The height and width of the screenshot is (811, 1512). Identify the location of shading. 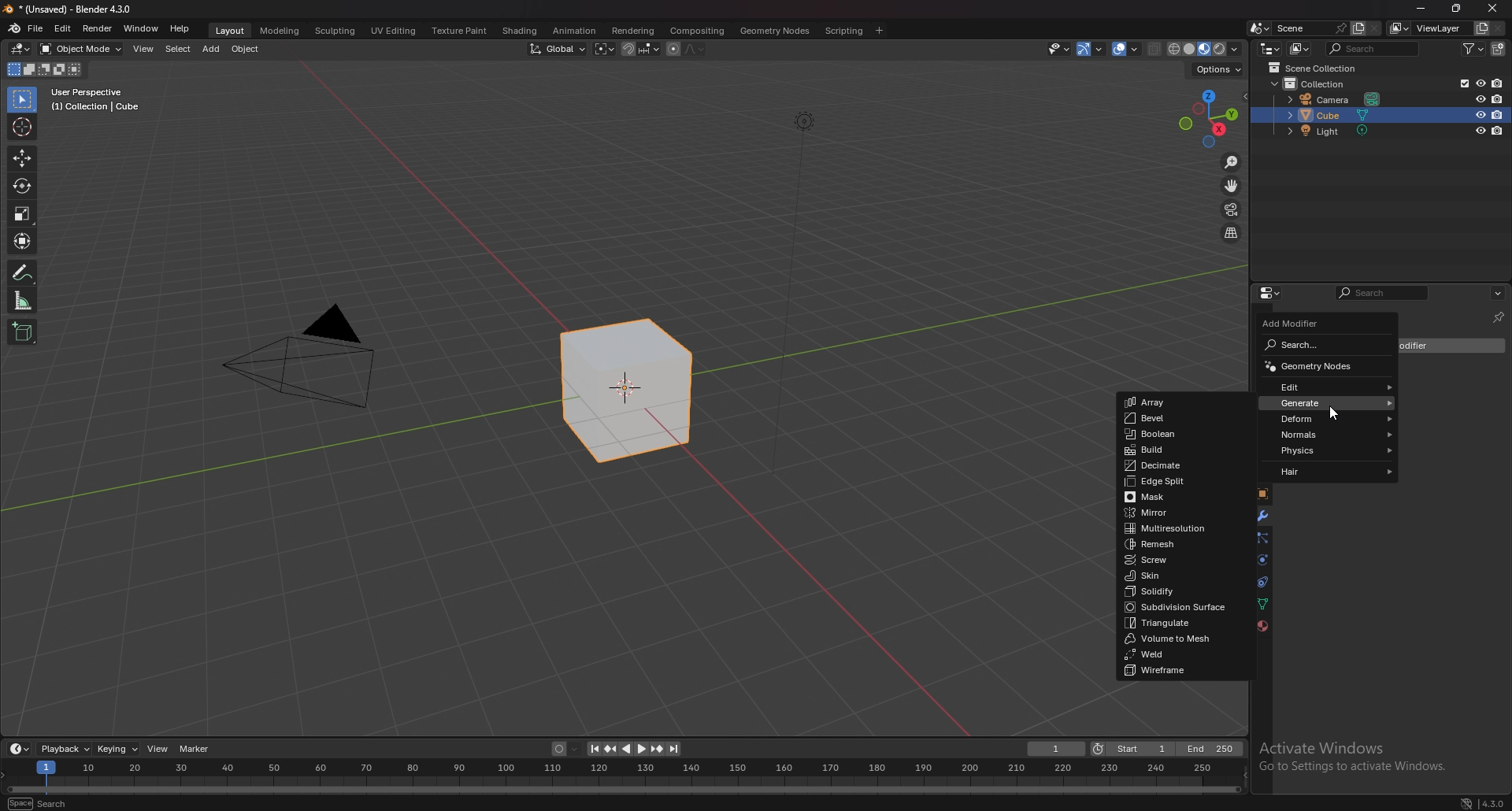
(522, 30).